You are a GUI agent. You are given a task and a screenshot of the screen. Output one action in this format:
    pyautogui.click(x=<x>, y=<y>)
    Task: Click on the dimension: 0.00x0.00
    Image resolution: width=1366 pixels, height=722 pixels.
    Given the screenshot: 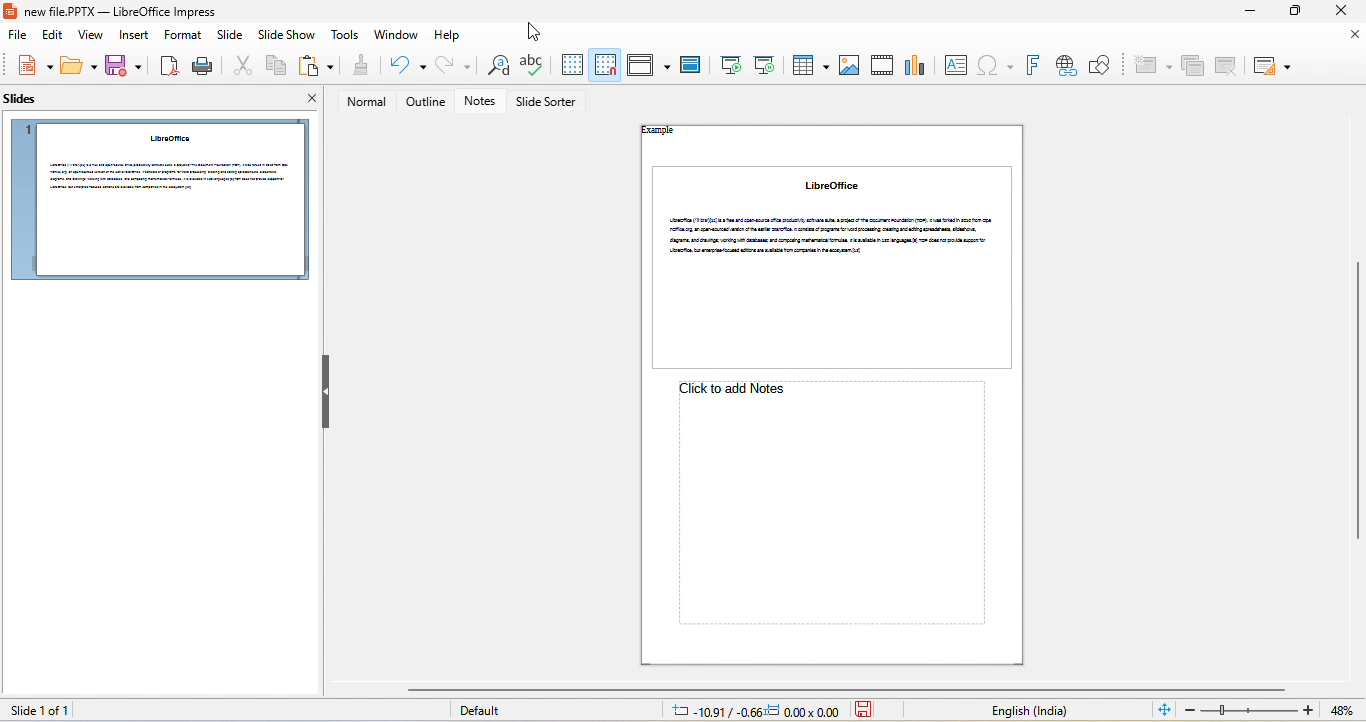 What is the action you would take?
    pyautogui.click(x=803, y=711)
    